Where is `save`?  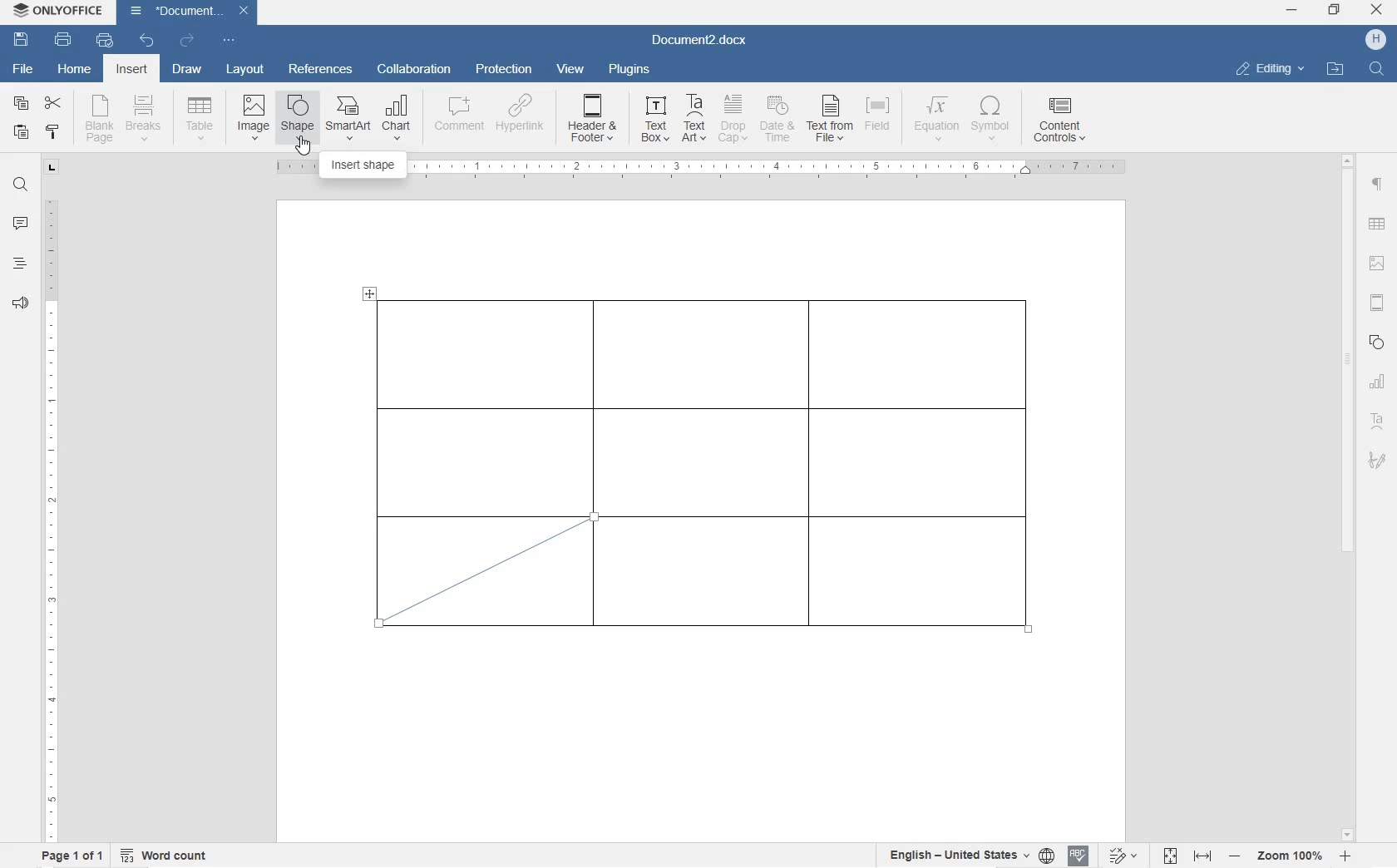 save is located at coordinates (22, 40).